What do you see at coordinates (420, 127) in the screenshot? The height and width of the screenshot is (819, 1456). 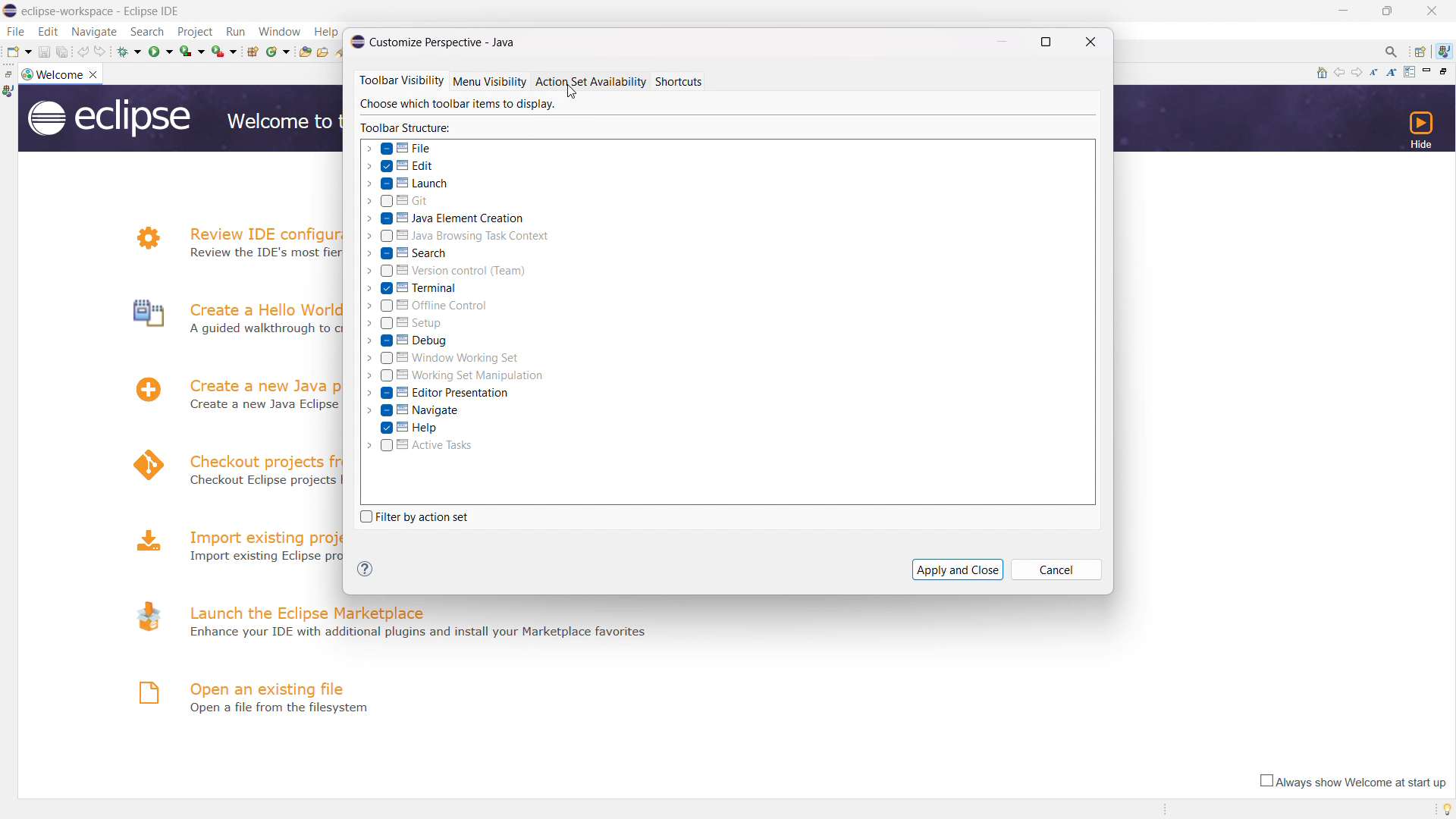 I see `Toolbar Structure:` at bounding box center [420, 127].